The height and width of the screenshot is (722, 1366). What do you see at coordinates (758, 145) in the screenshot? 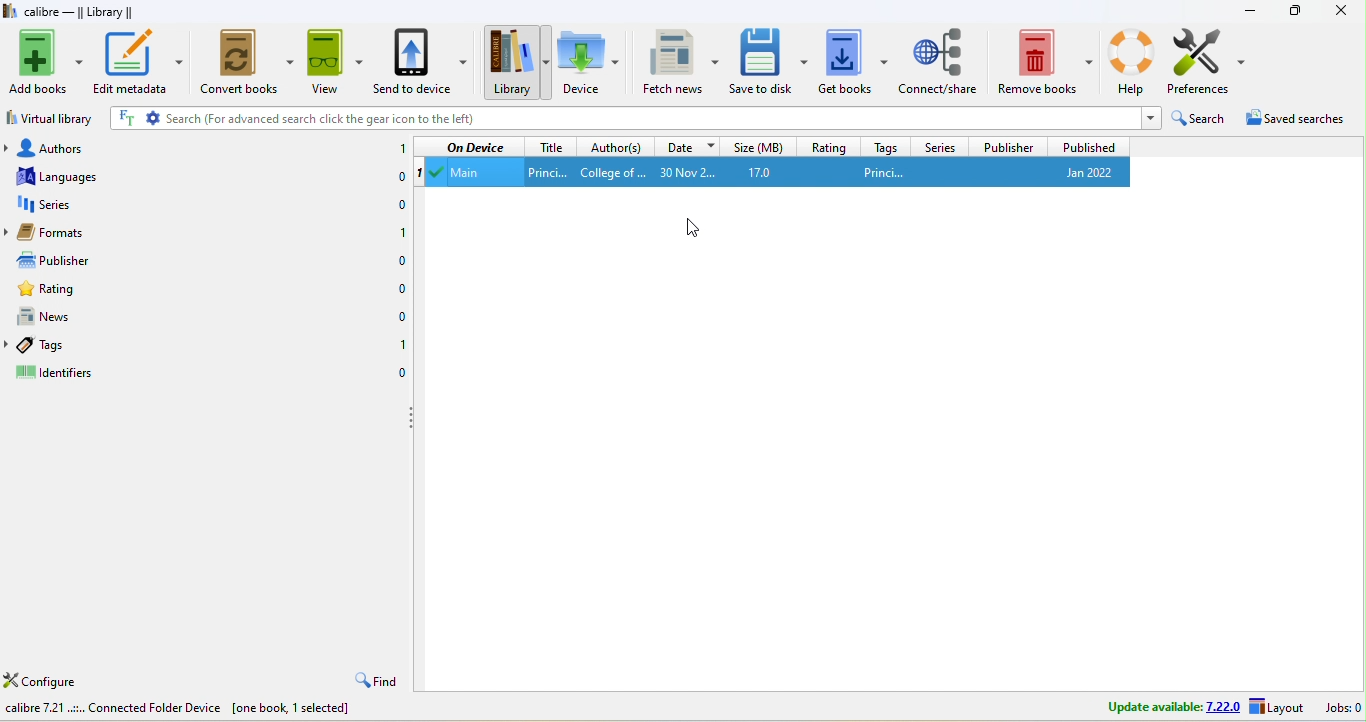
I see `size` at bounding box center [758, 145].